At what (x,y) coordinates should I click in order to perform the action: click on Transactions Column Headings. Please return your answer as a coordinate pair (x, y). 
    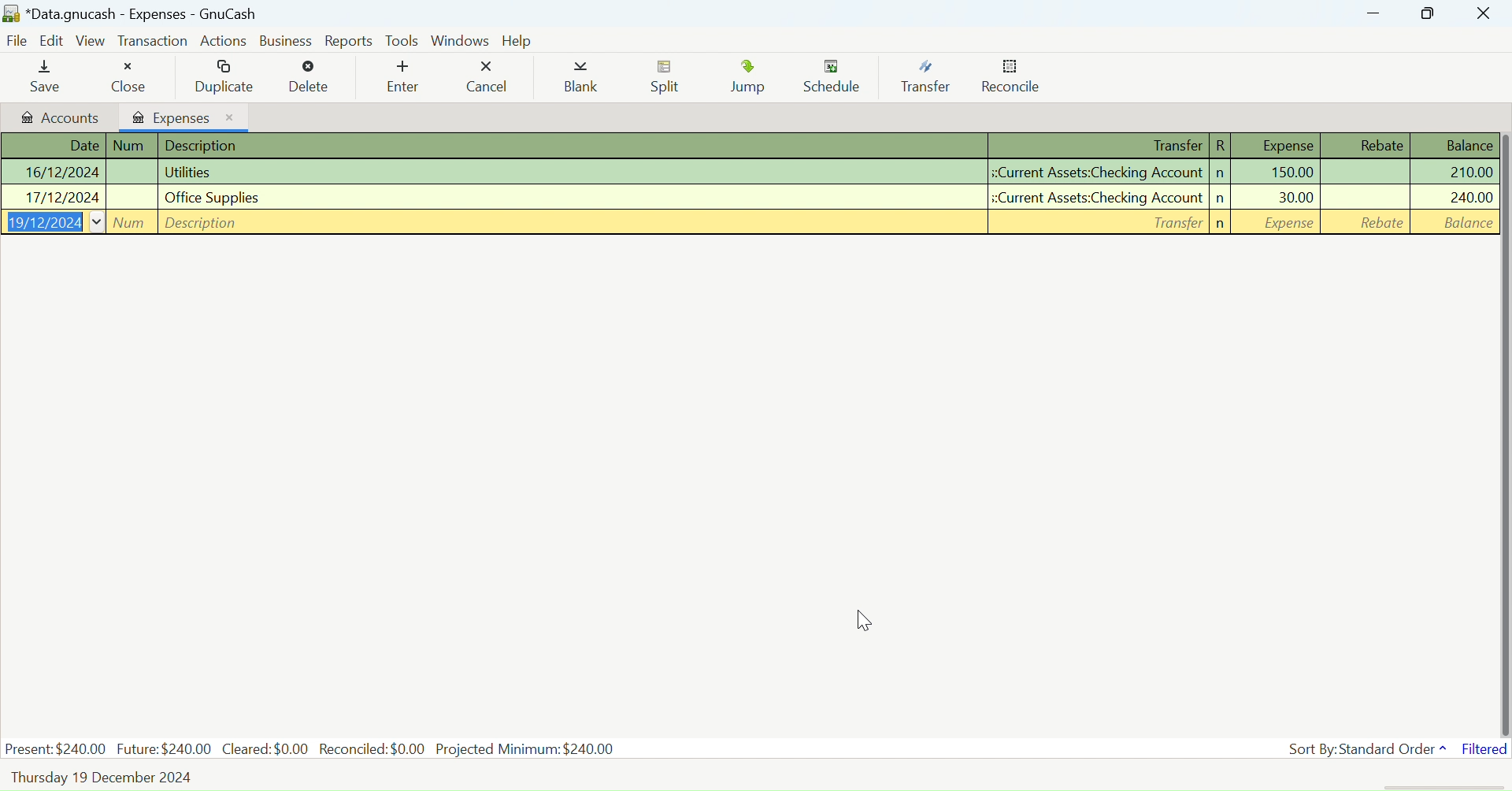
    Looking at the image, I should click on (750, 147).